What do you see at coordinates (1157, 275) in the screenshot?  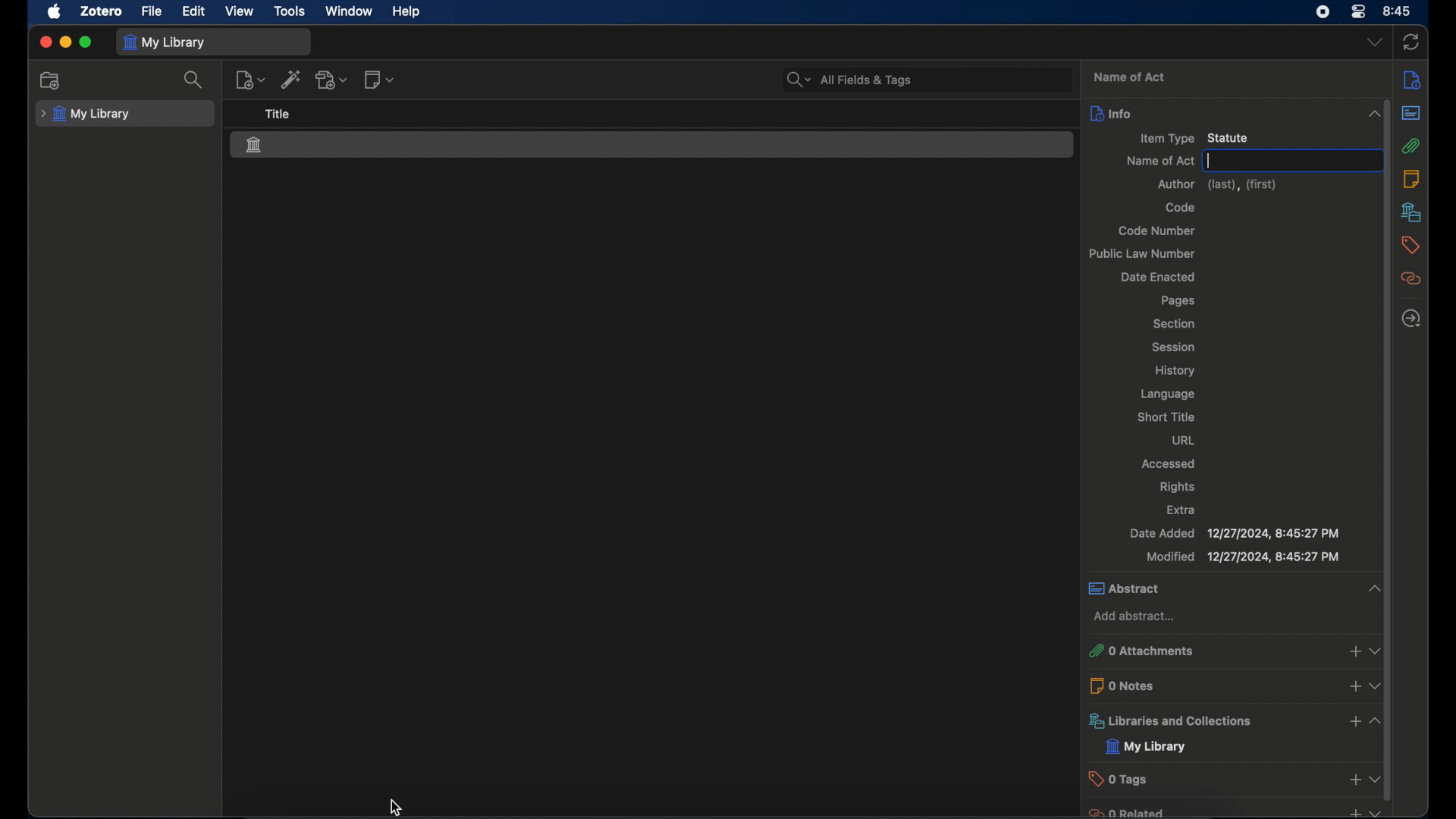 I see `date enacted` at bounding box center [1157, 275].